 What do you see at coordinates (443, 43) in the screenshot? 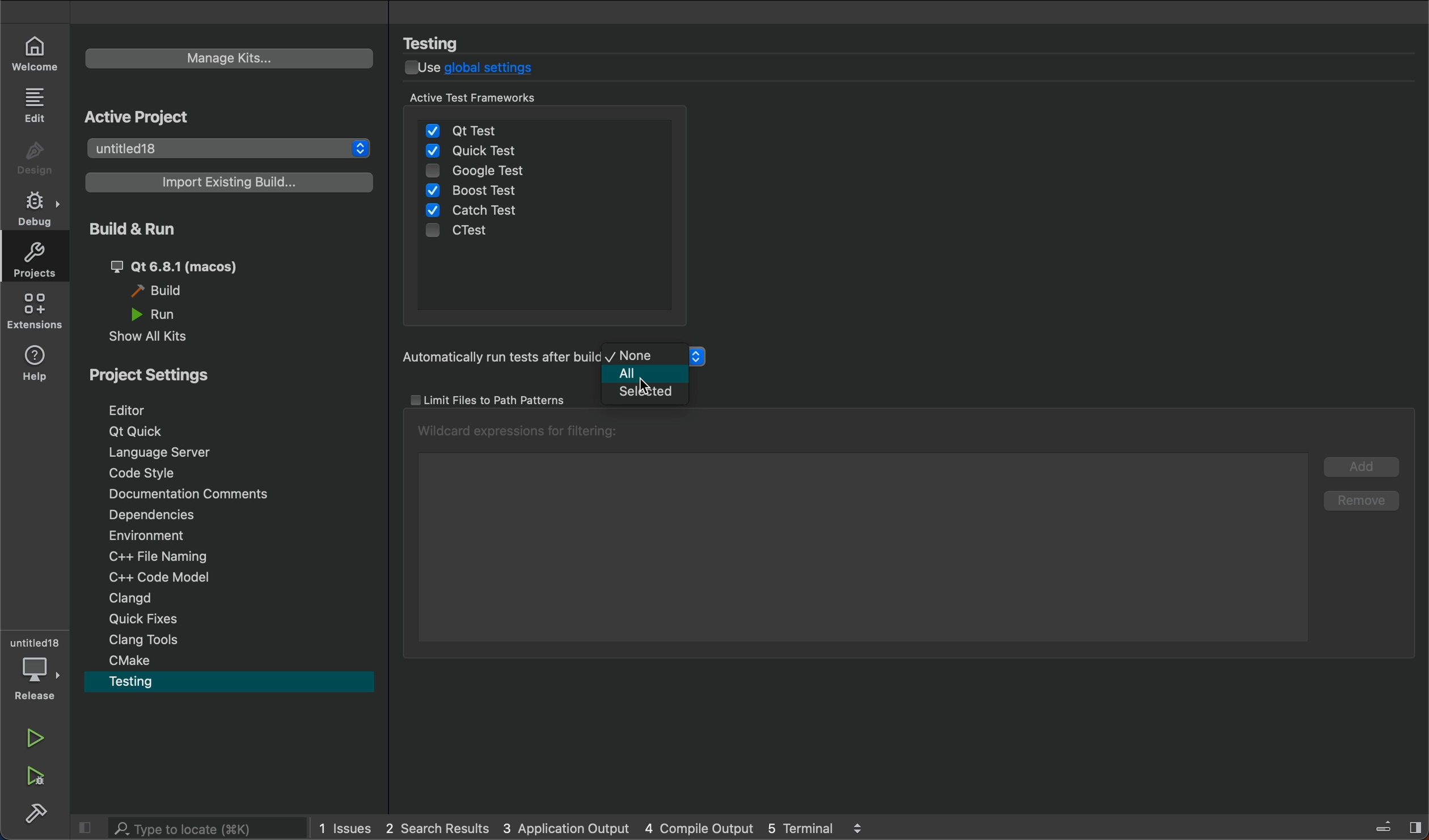
I see `testing` at bounding box center [443, 43].